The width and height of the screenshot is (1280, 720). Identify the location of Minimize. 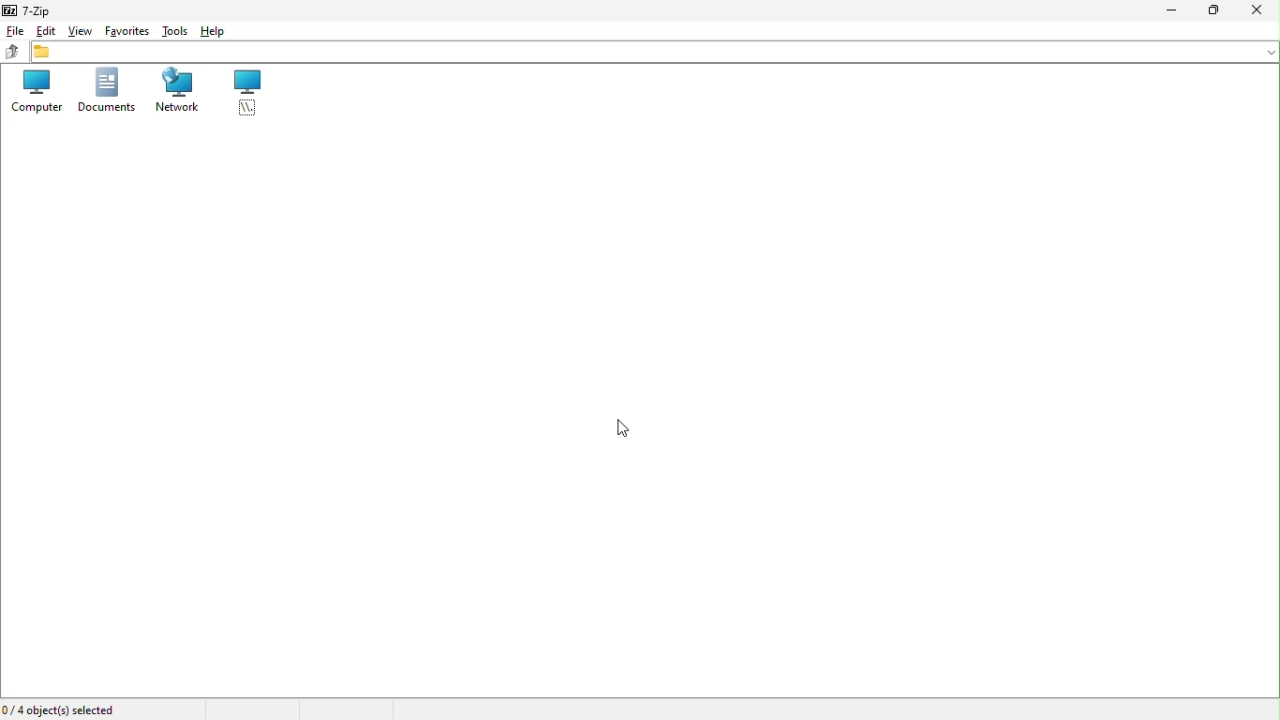
(1175, 10).